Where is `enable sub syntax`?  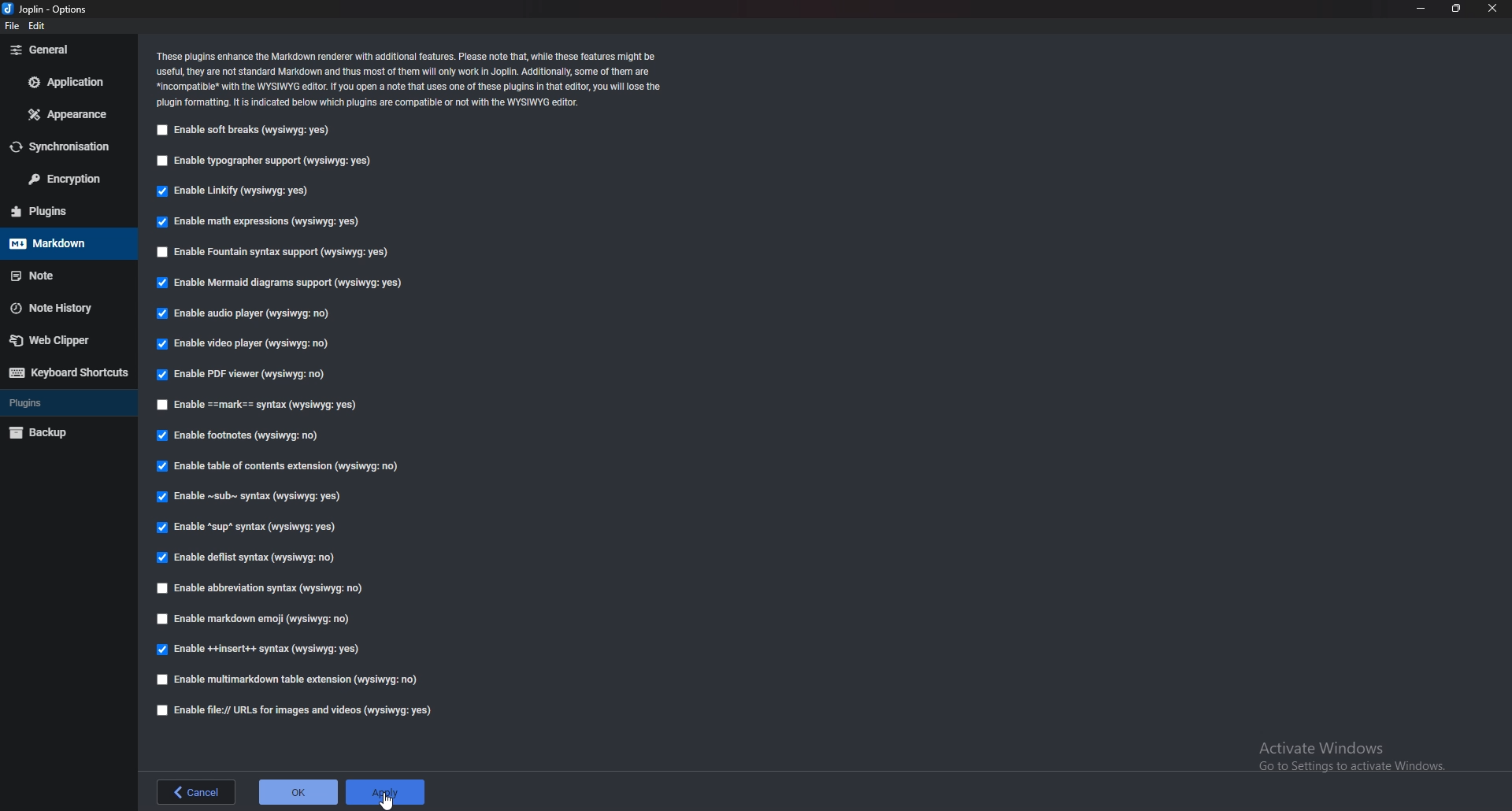 enable sub syntax is located at coordinates (246, 496).